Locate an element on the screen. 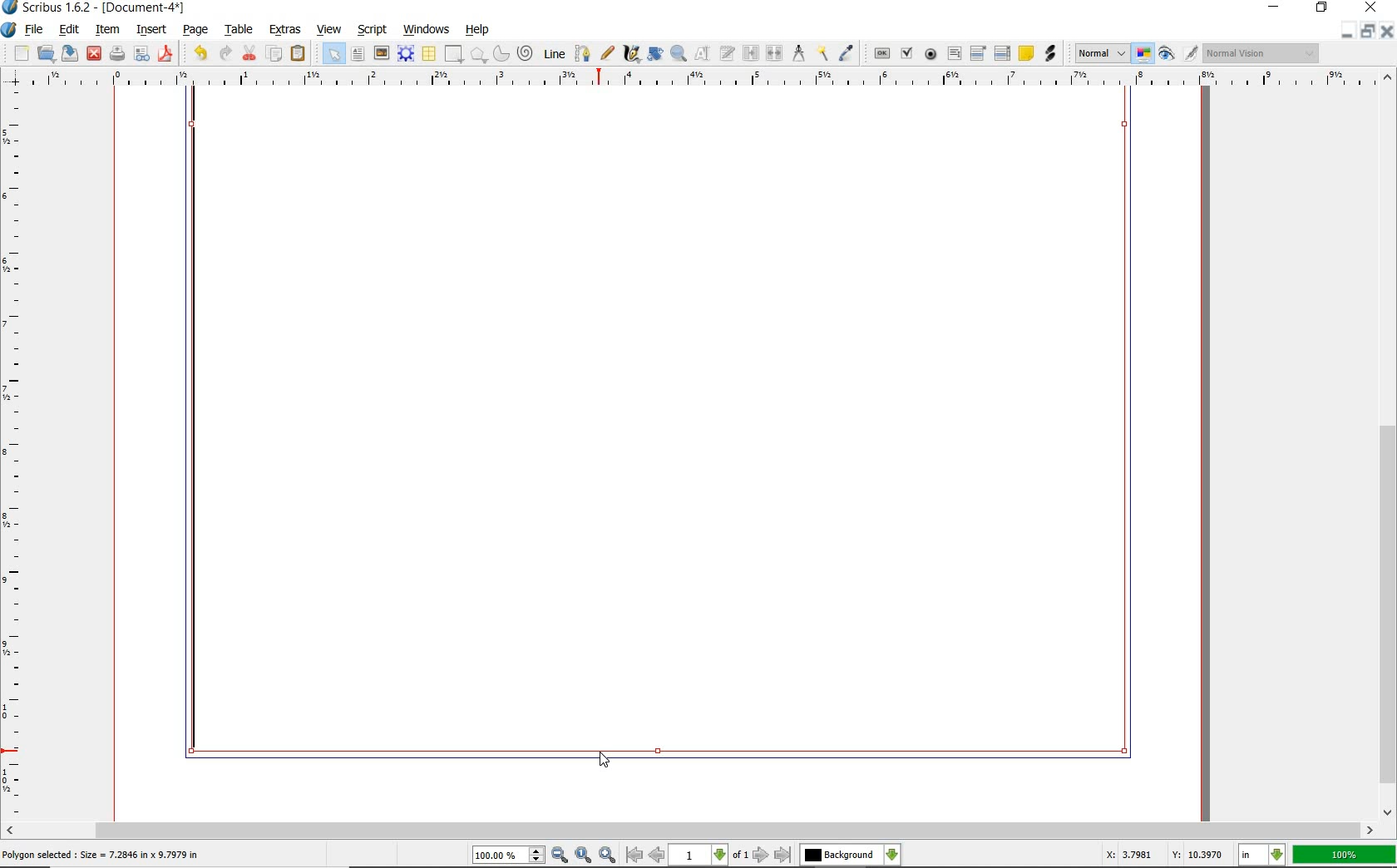  text annotation is located at coordinates (1026, 53).